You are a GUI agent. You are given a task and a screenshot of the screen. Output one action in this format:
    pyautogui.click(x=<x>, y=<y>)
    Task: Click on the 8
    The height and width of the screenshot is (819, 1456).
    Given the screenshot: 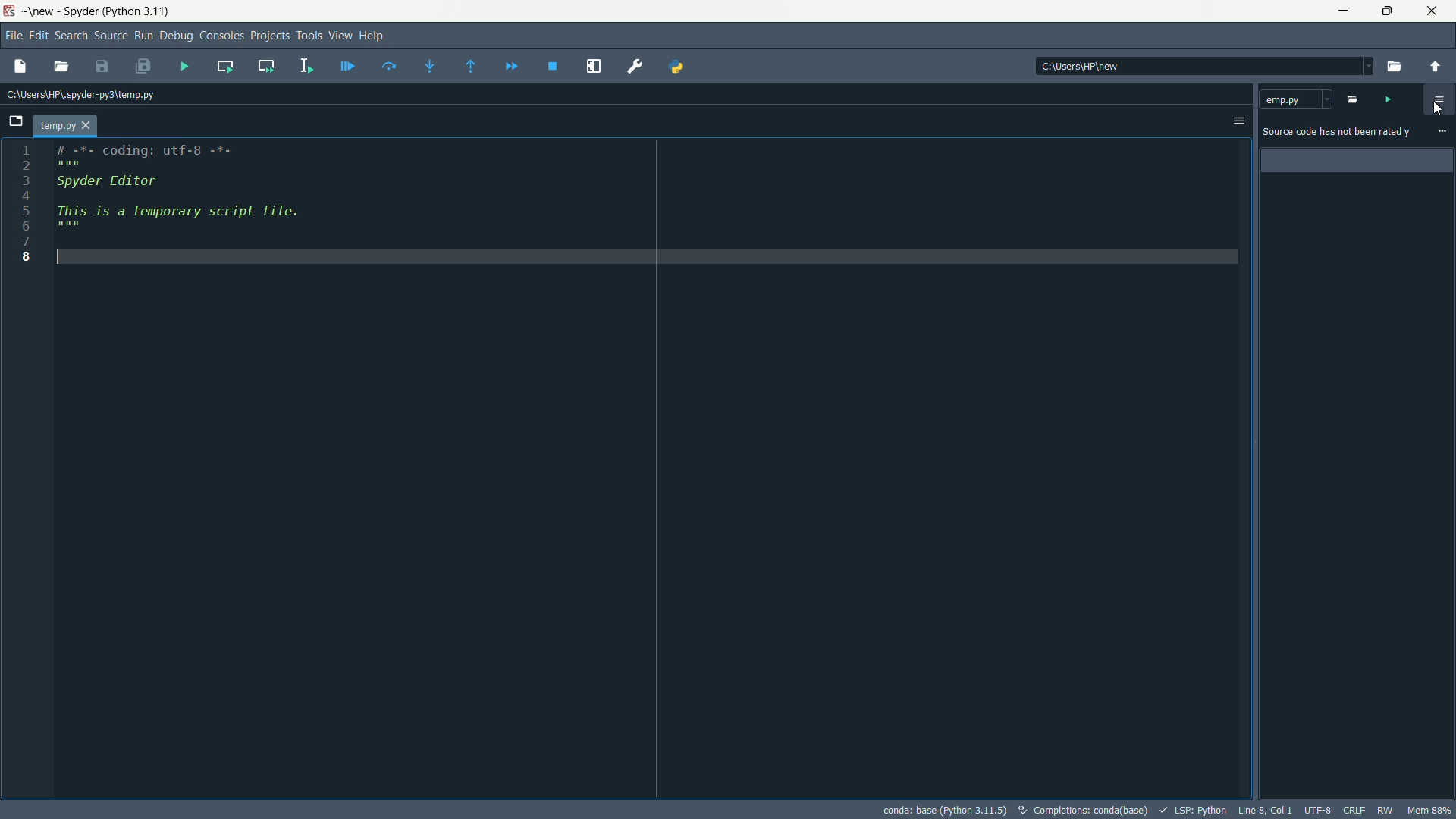 What is the action you would take?
    pyautogui.click(x=24, y=257)
    